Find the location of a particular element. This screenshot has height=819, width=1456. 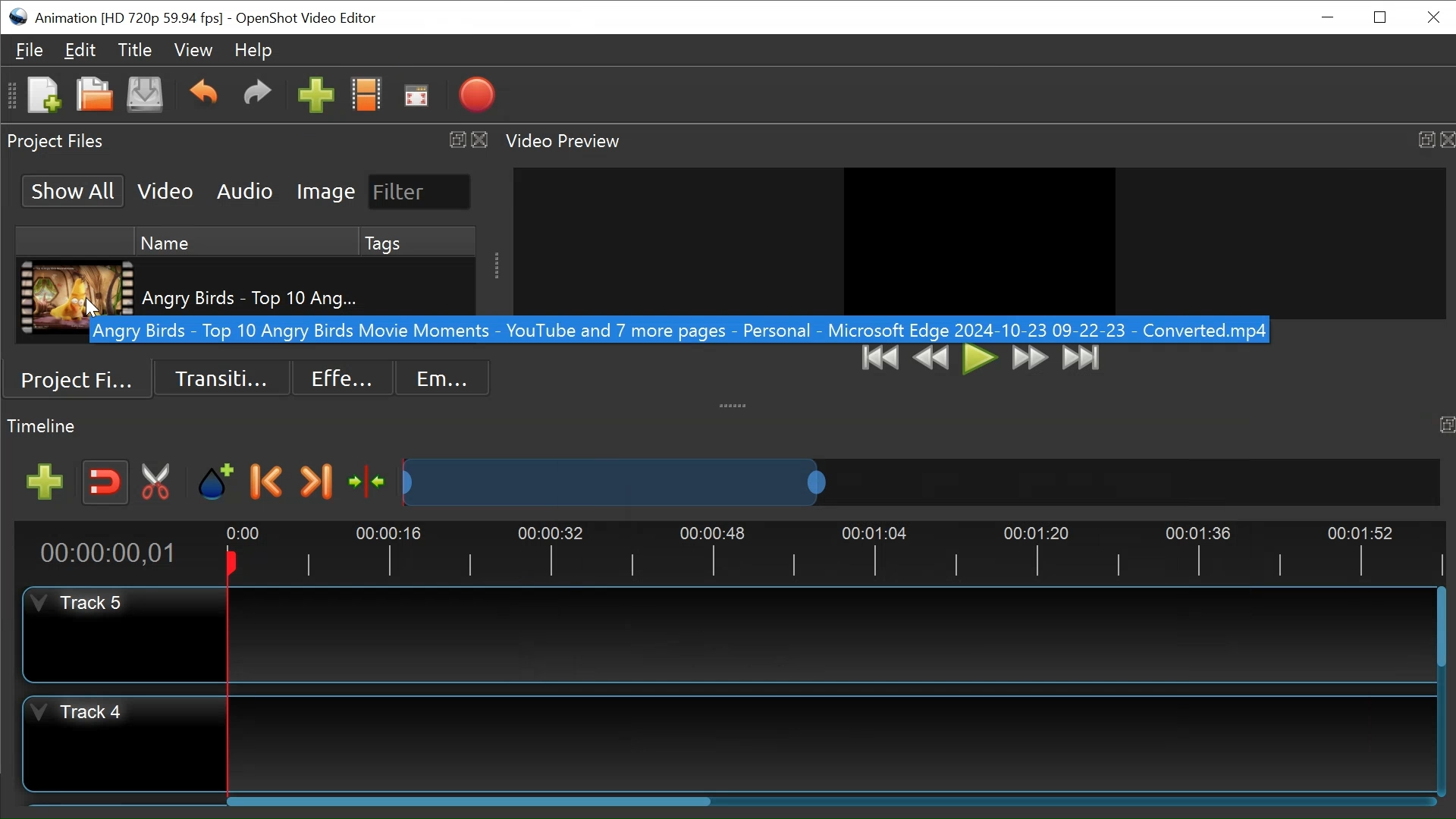

Play is located at coordinates (981, 359).